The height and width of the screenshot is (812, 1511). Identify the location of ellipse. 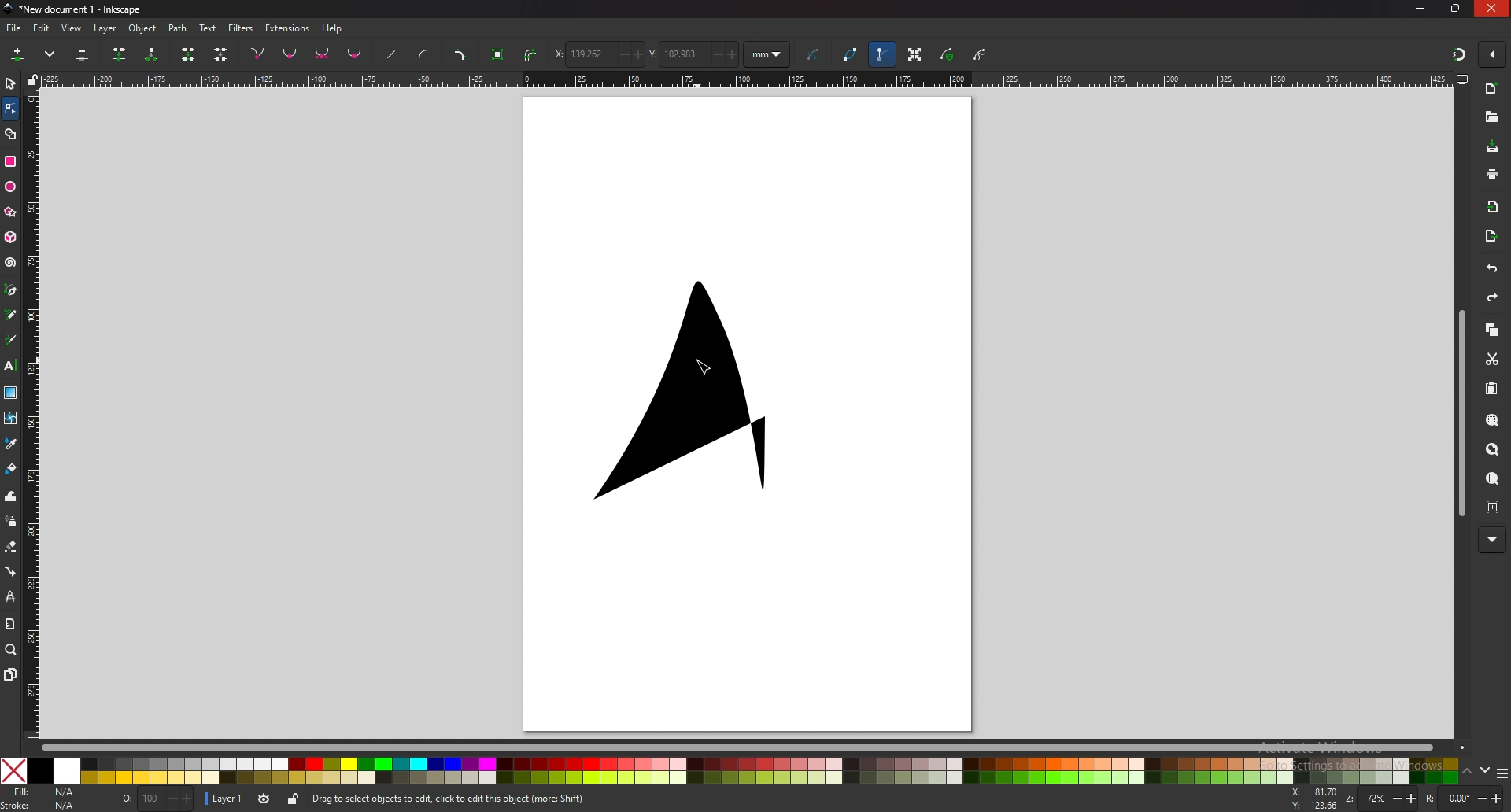
(11, 185).